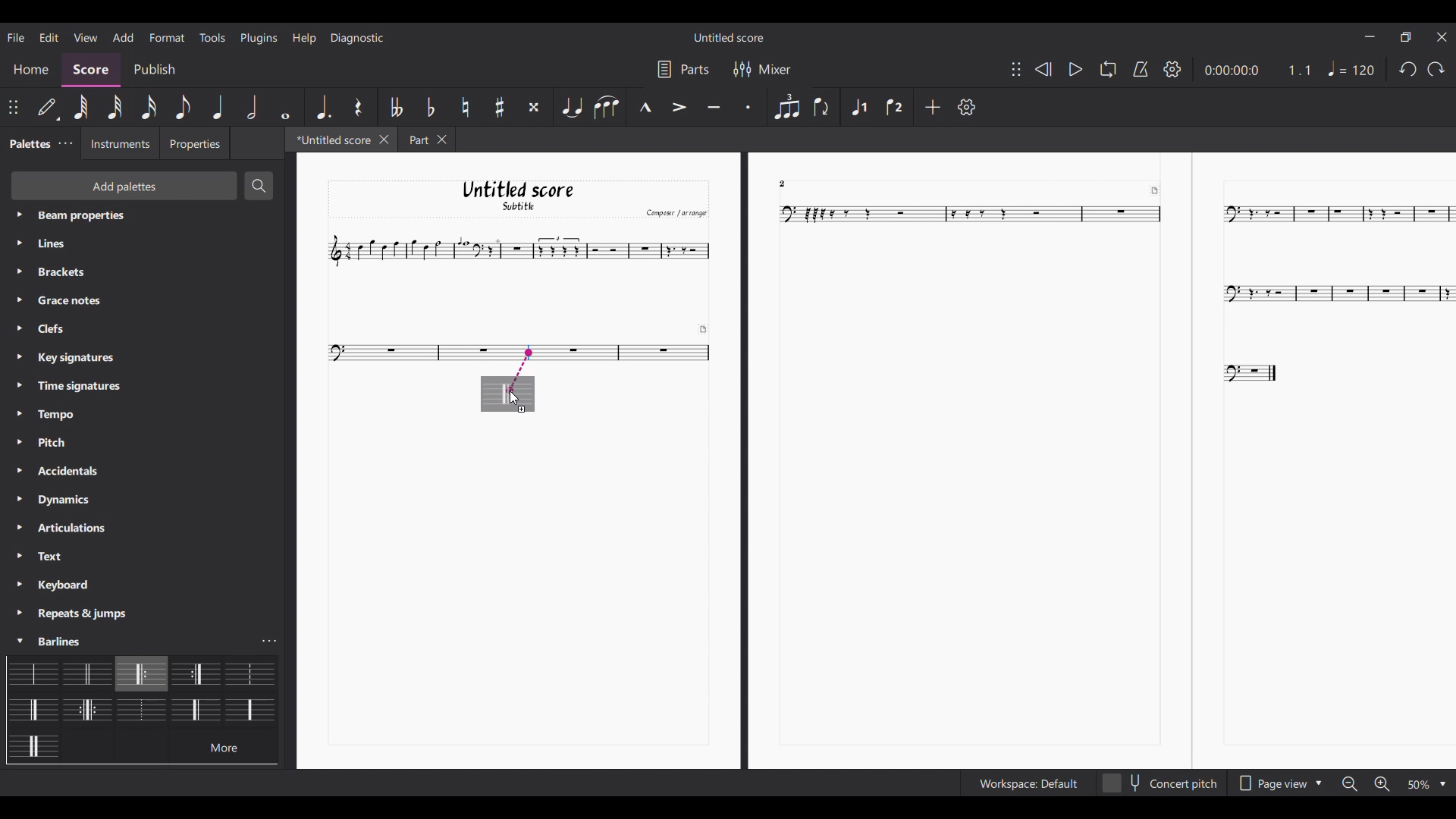 Image resolution: width=1456 pixels, height=819 pixels. Describe the element at coordinates (358, 38) in the screenshot. I see `Diagnostic menu` at that location.